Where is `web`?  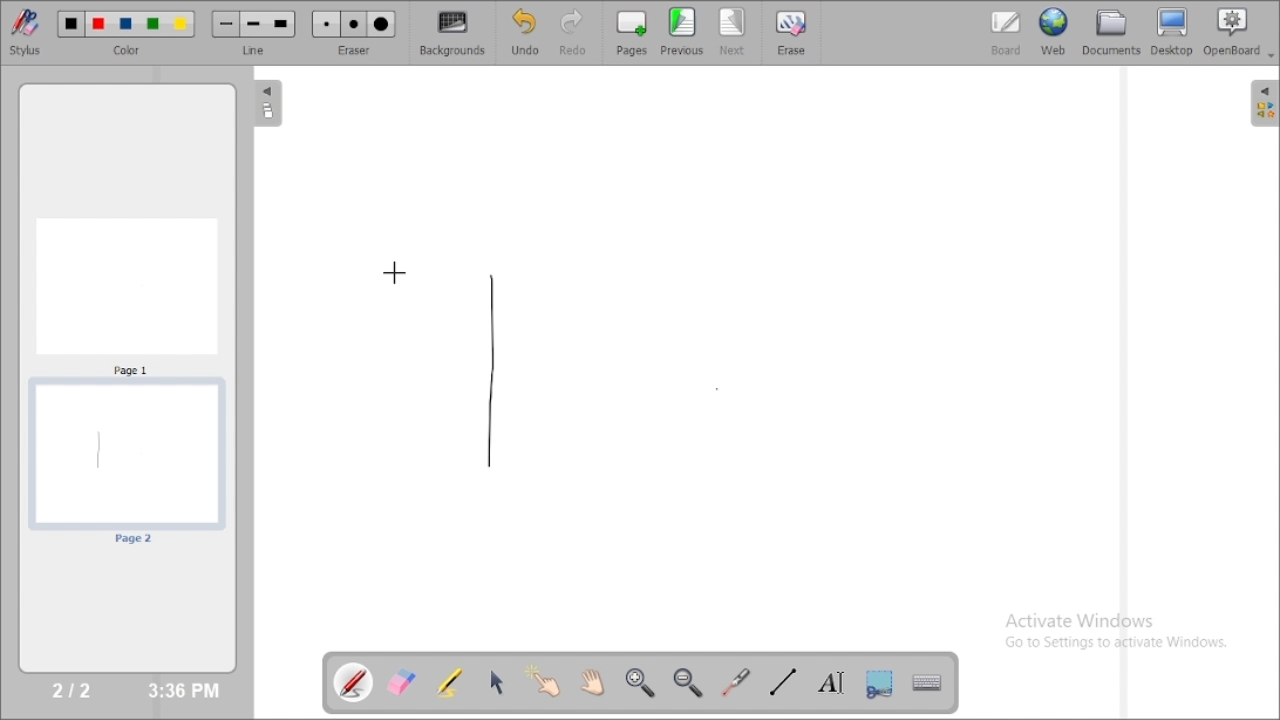
web is located at coordinates (1054, 31).